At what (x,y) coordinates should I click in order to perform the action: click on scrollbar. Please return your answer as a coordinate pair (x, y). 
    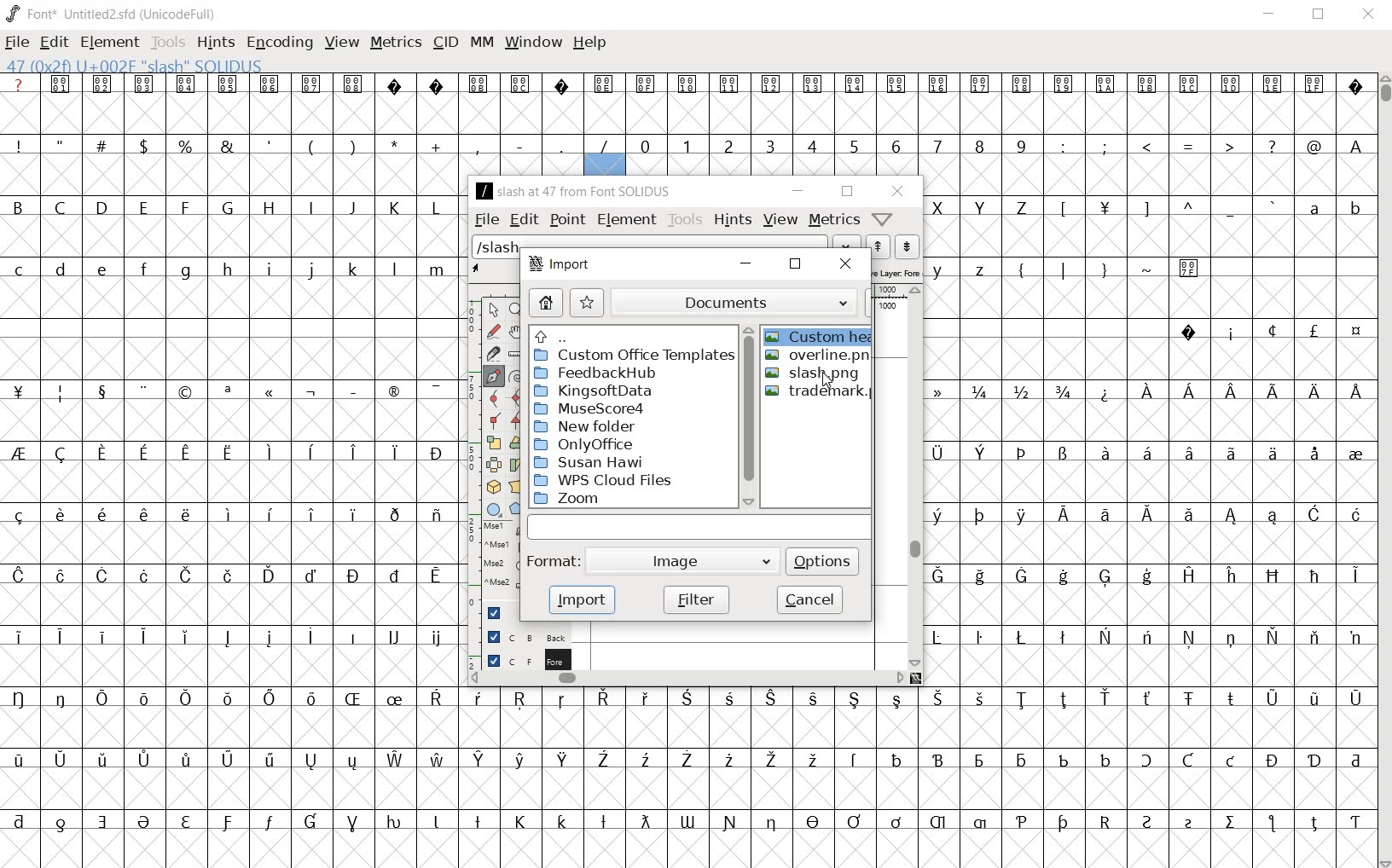
    Looking at the image, I should click on (749, 417).